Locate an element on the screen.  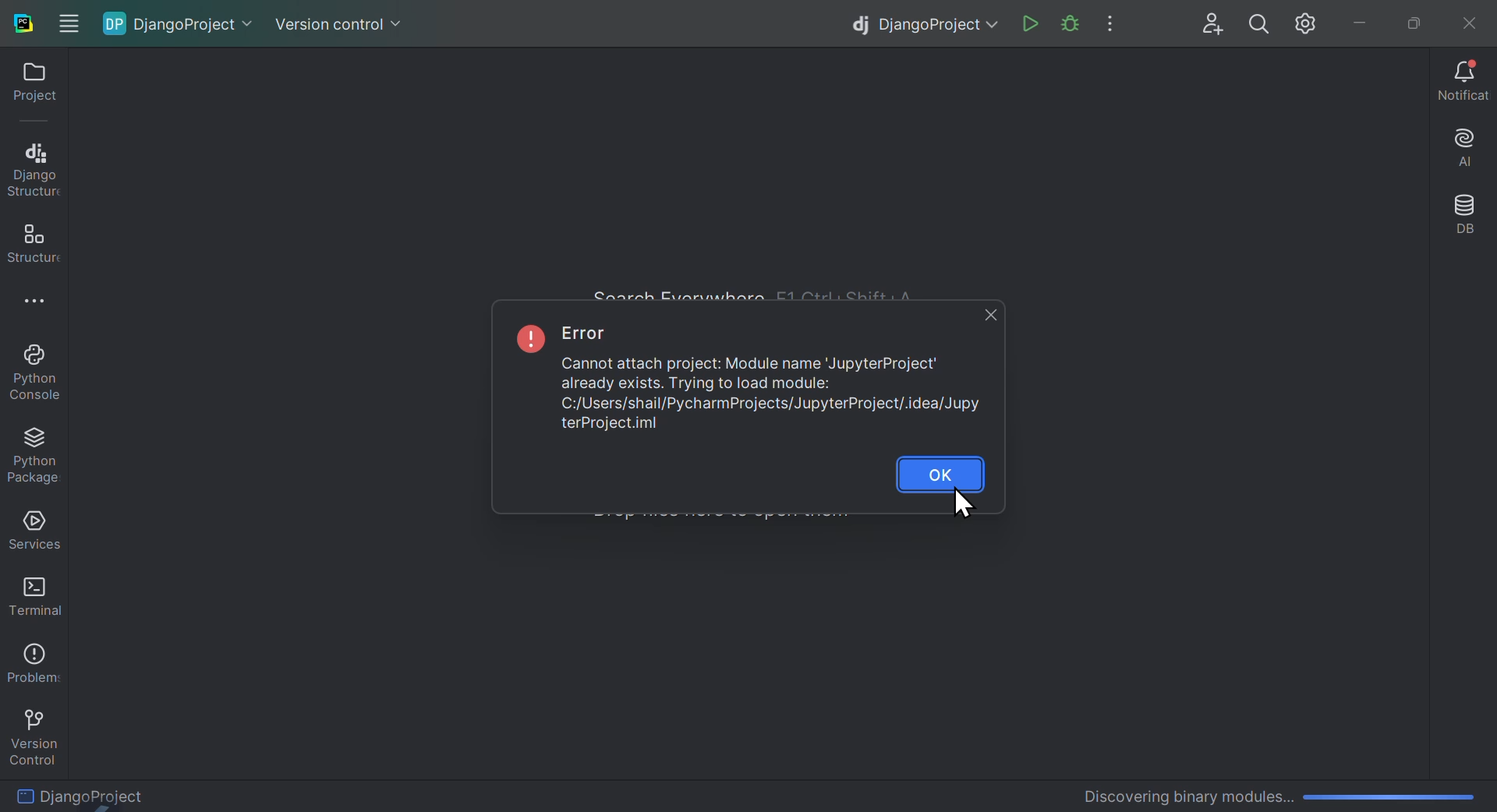
Error is located at coordinates (589, 336).